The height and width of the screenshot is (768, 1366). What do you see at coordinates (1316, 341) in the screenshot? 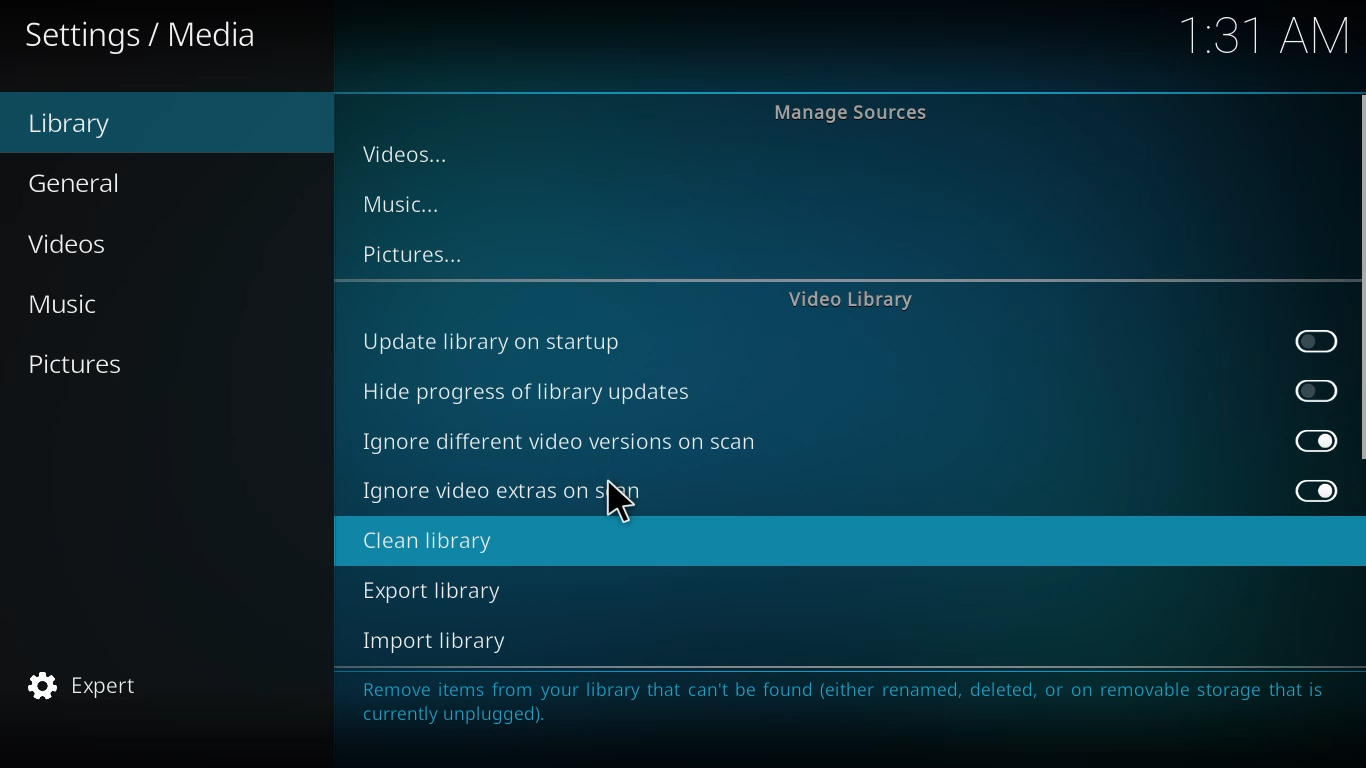
I see `enable` at bounding box center [1316, 341].